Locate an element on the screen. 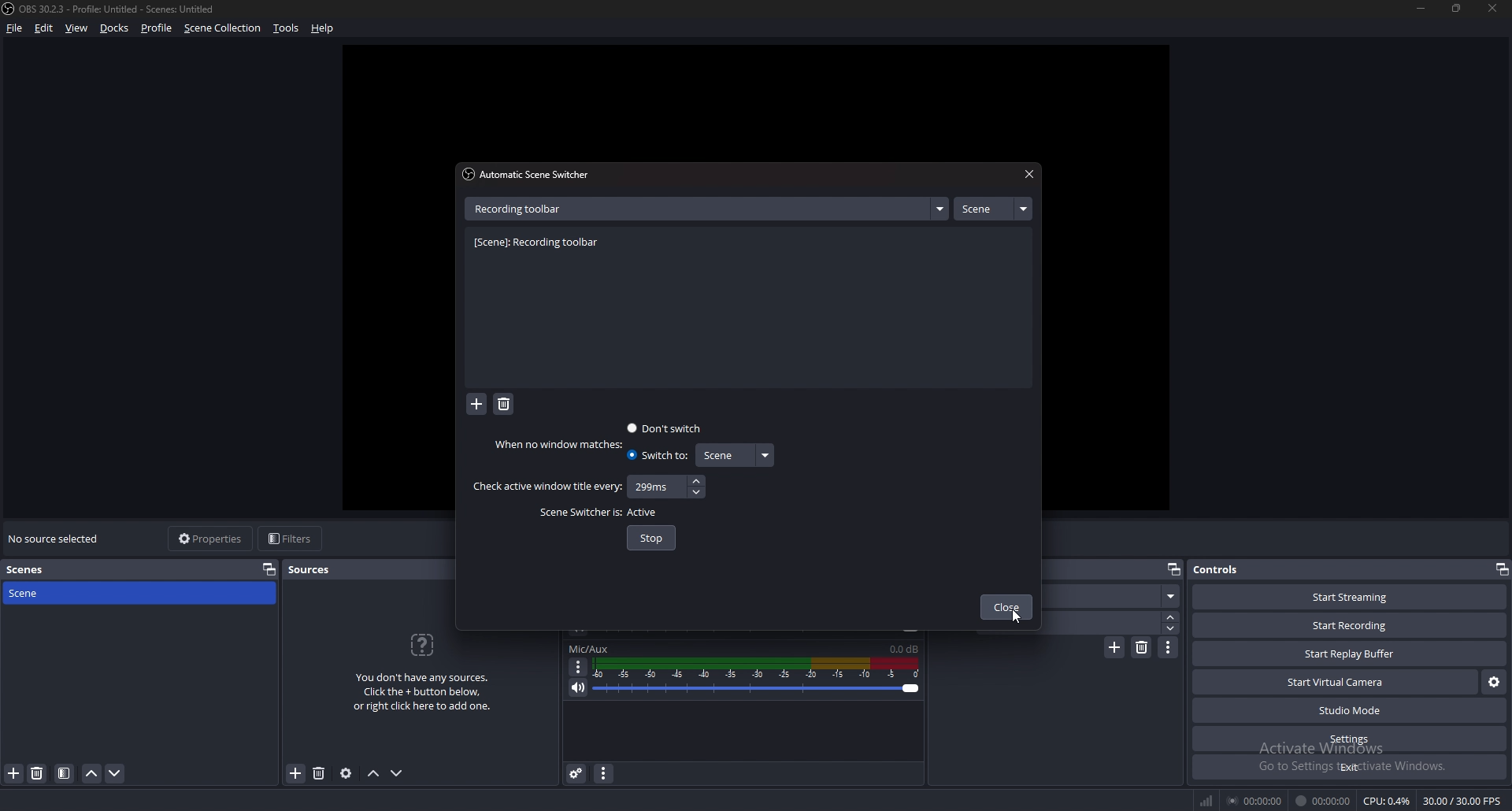 This screenshot has width=1512, height=811. minimize is located at coordinates (1421, 8).